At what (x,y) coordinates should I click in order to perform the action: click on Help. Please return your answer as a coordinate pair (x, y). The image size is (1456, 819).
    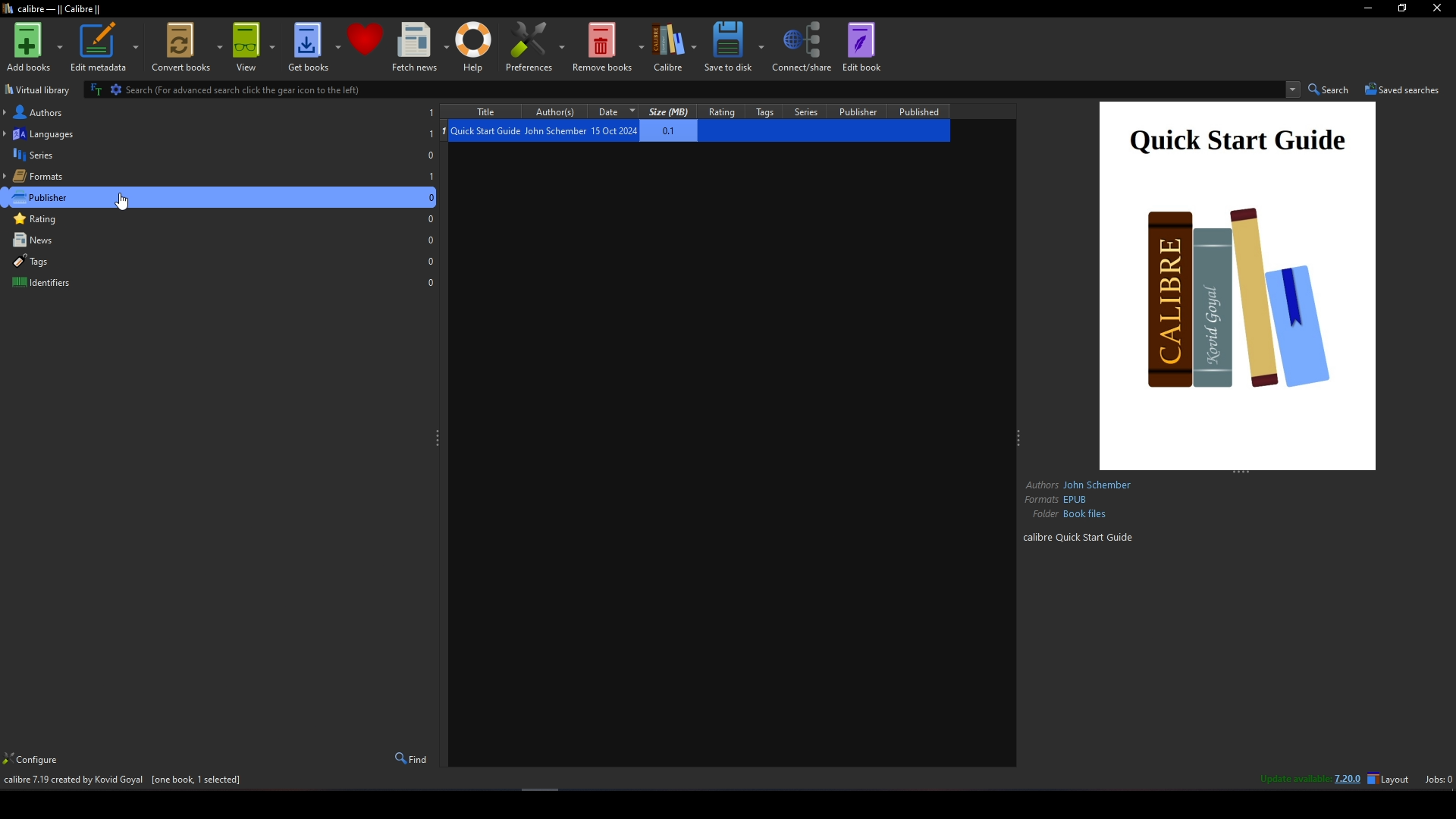
    Looking at the image, I should click on (474, 46).